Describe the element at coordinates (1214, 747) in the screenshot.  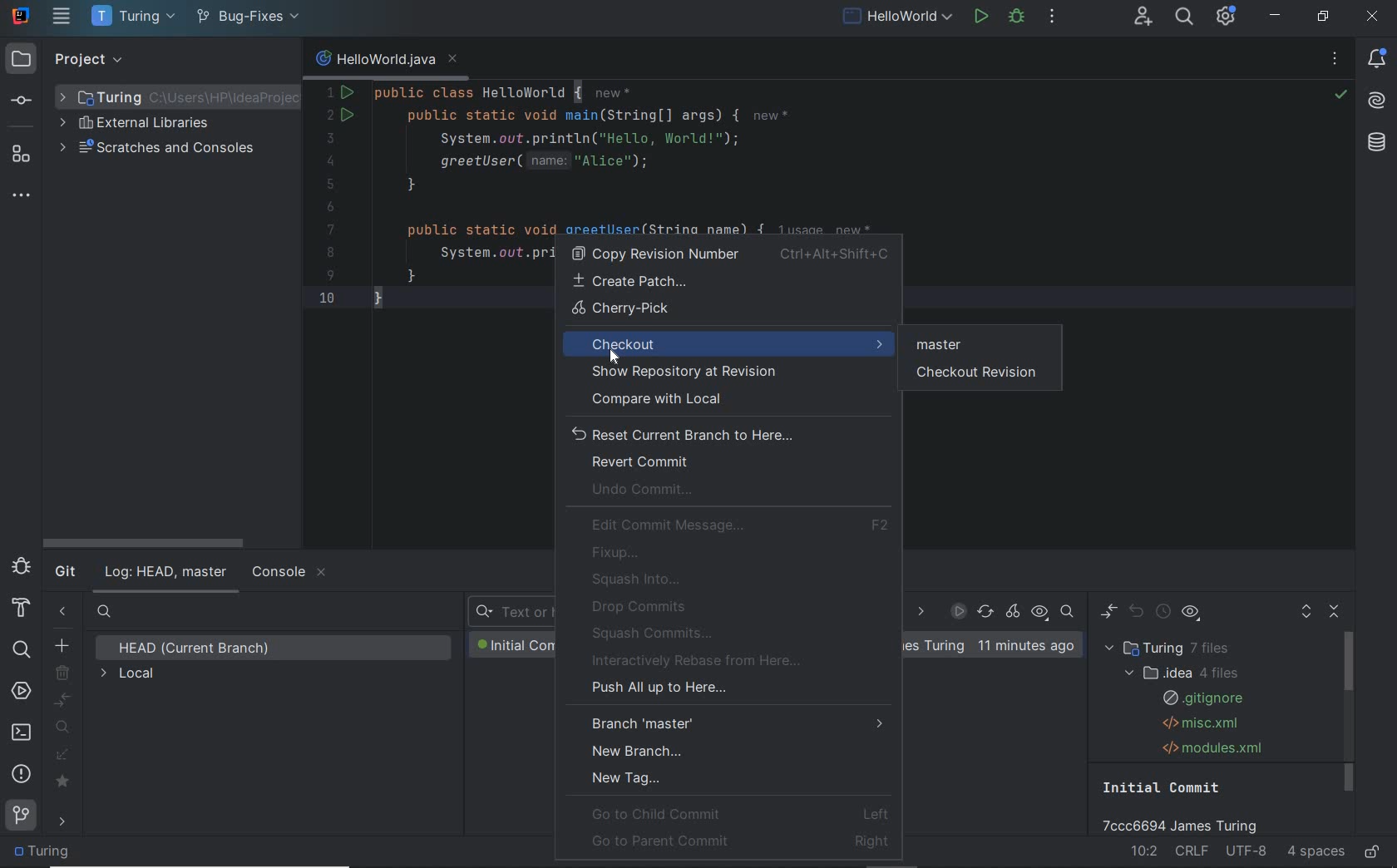
I see `modules.xml` at that location.